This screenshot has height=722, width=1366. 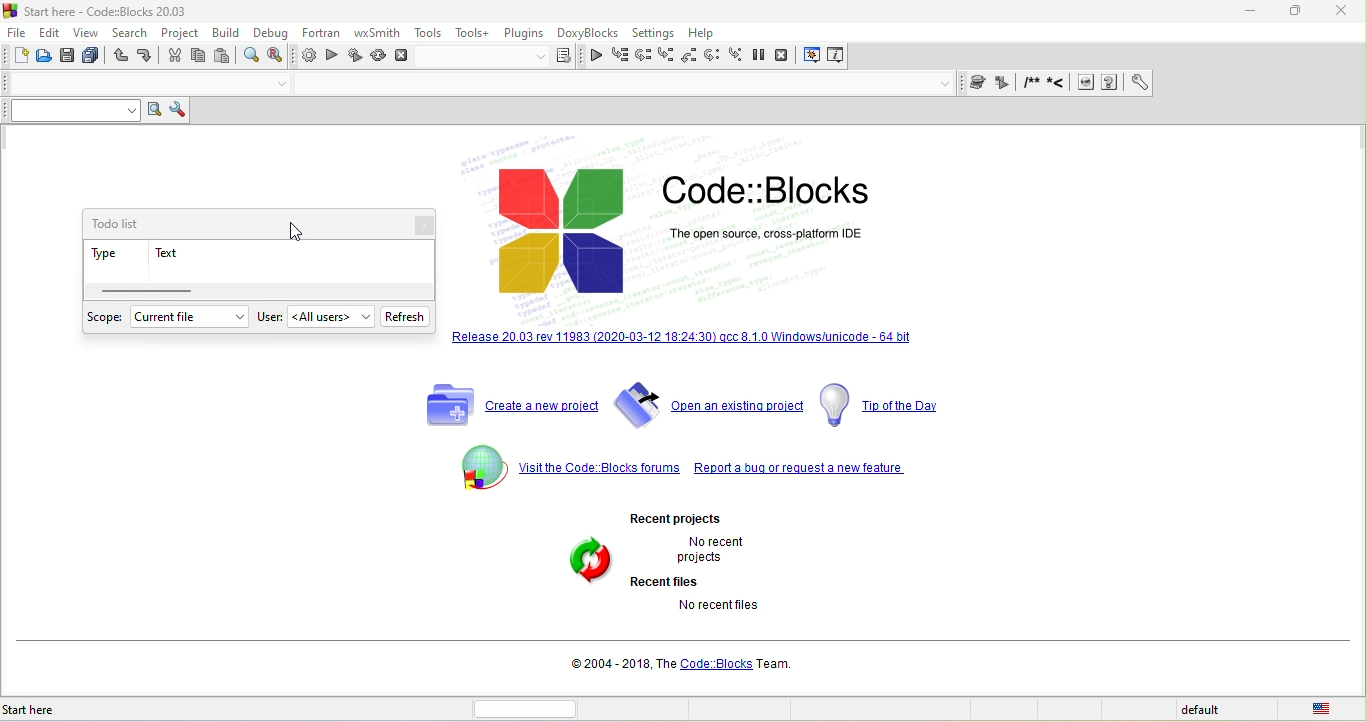 What do you see at coordinates (428, 33) in the screenshot?
I see `tools` at bounding box center [428, 33].